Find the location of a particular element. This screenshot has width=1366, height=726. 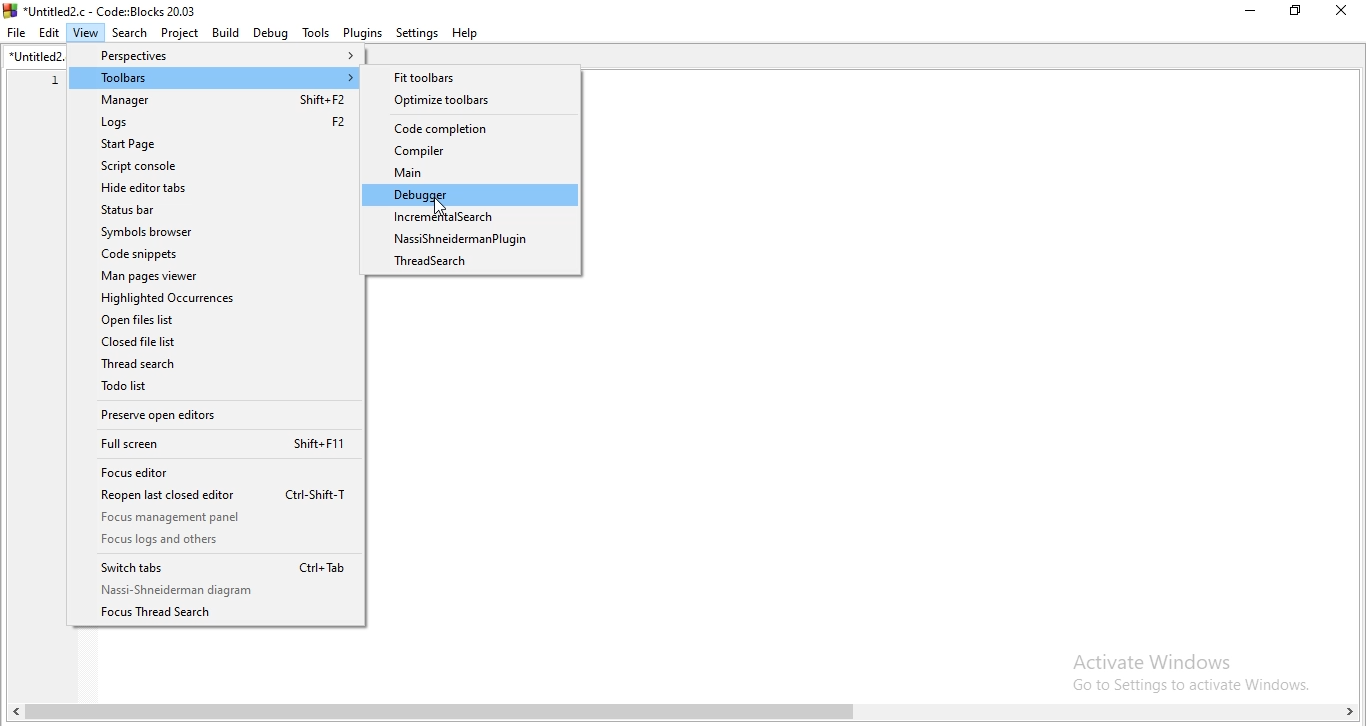

cursor is located at coordinates (439, 205).